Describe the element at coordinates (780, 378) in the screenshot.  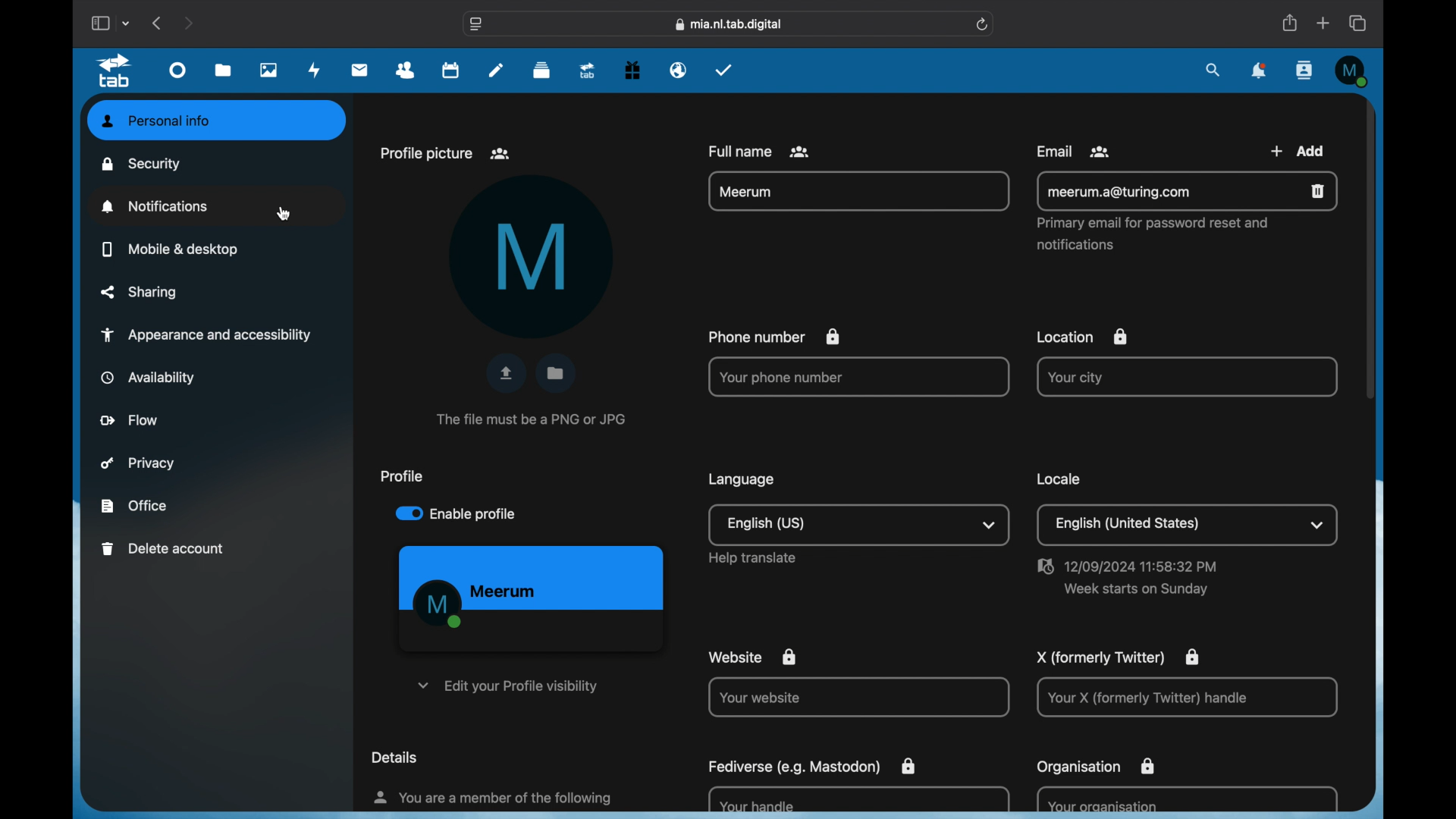
I see `your phone number` at that location.